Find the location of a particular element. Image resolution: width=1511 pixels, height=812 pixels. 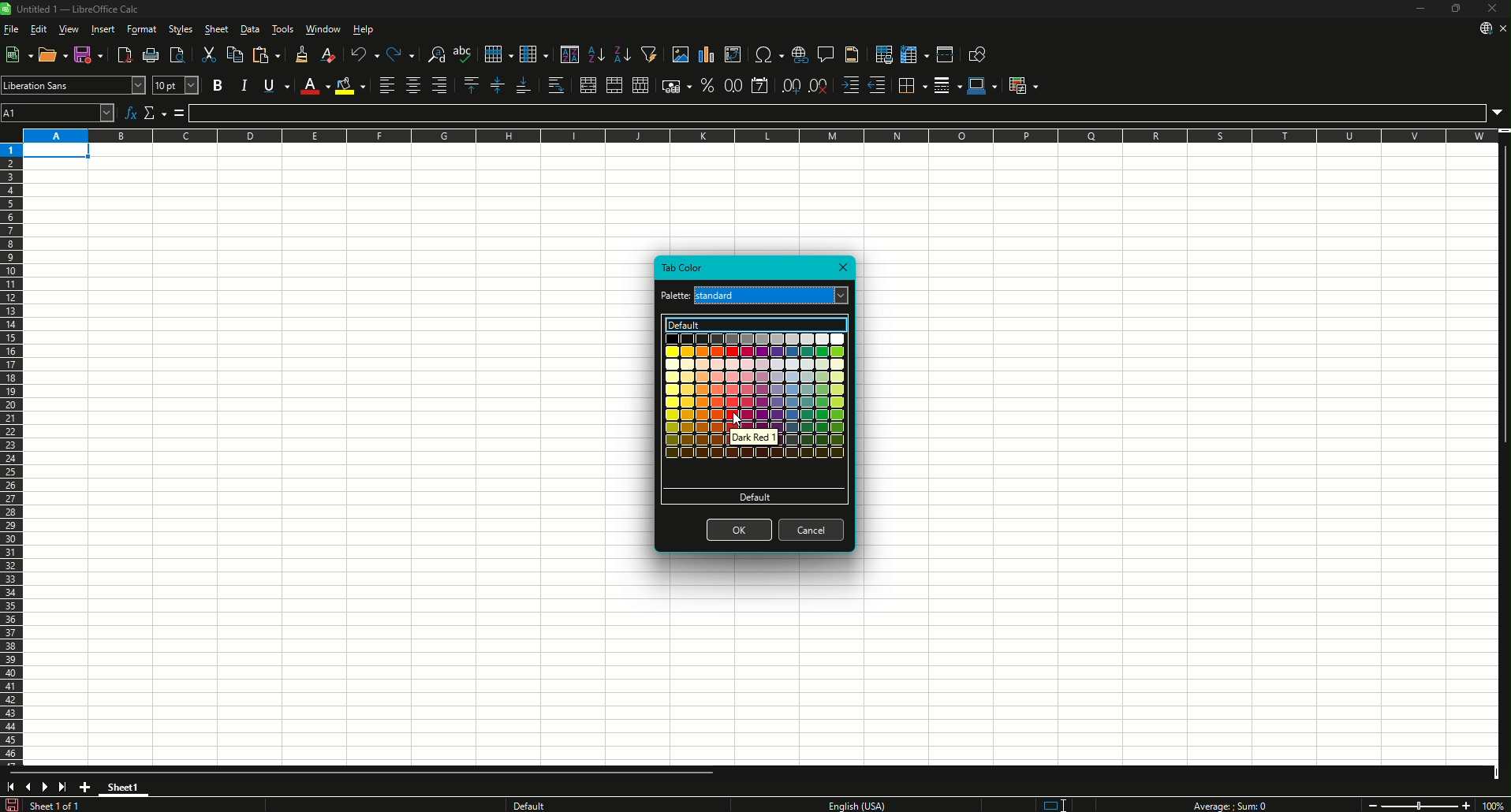

Find and Replace is located at coordinates (435, 54).